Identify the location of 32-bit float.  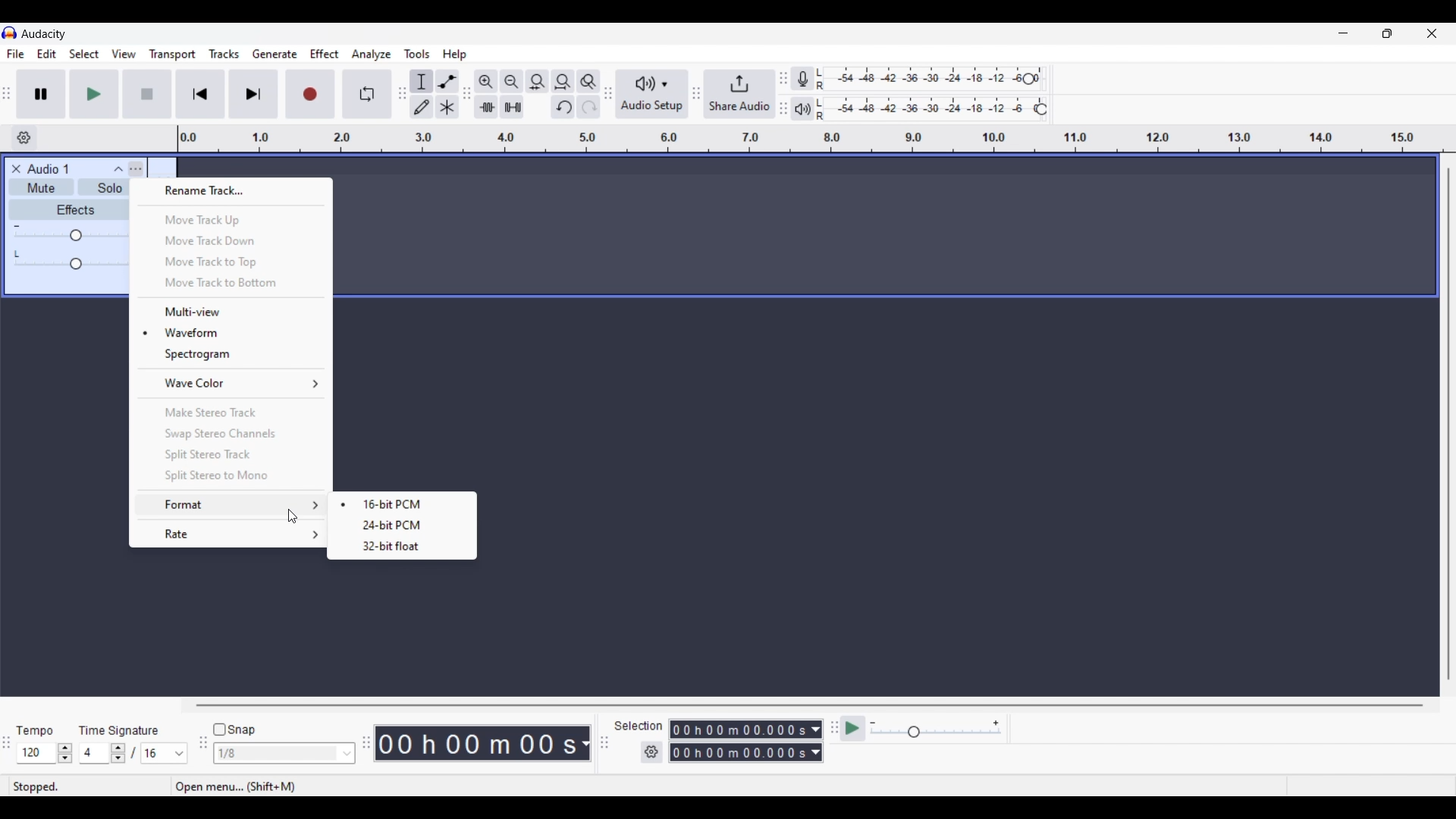
(387, 548).